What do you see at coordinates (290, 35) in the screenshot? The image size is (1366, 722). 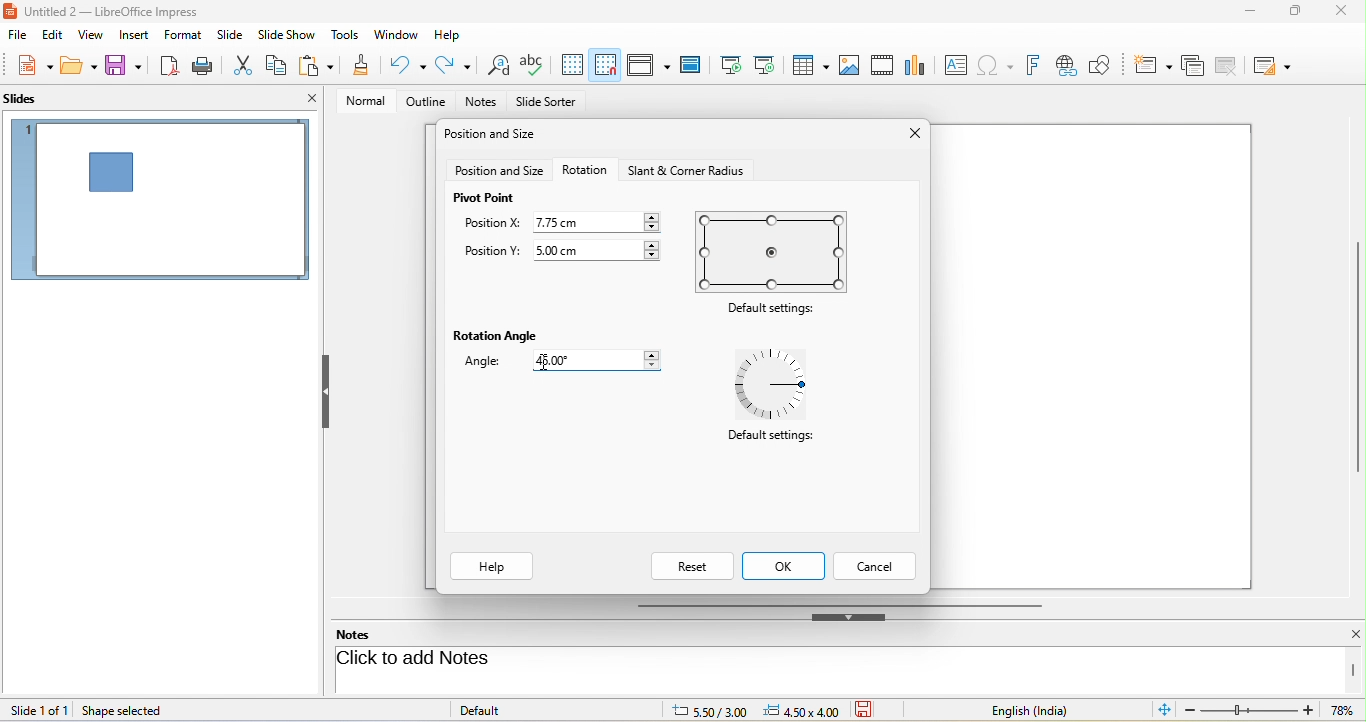 I see `slide show` at bounding box center [290, 35].